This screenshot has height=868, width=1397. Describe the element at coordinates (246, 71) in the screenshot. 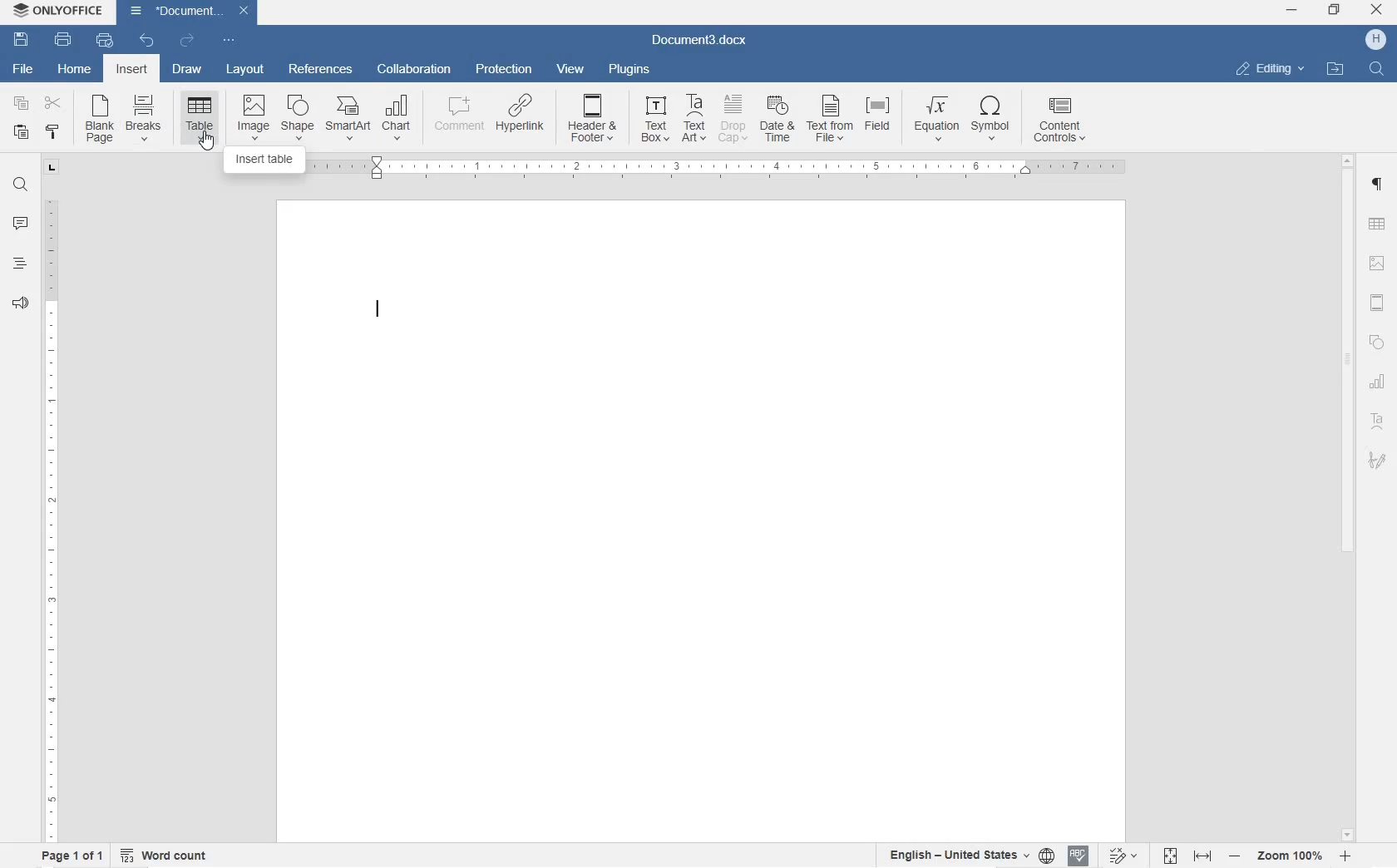

I see `LAYOUT` at that location.